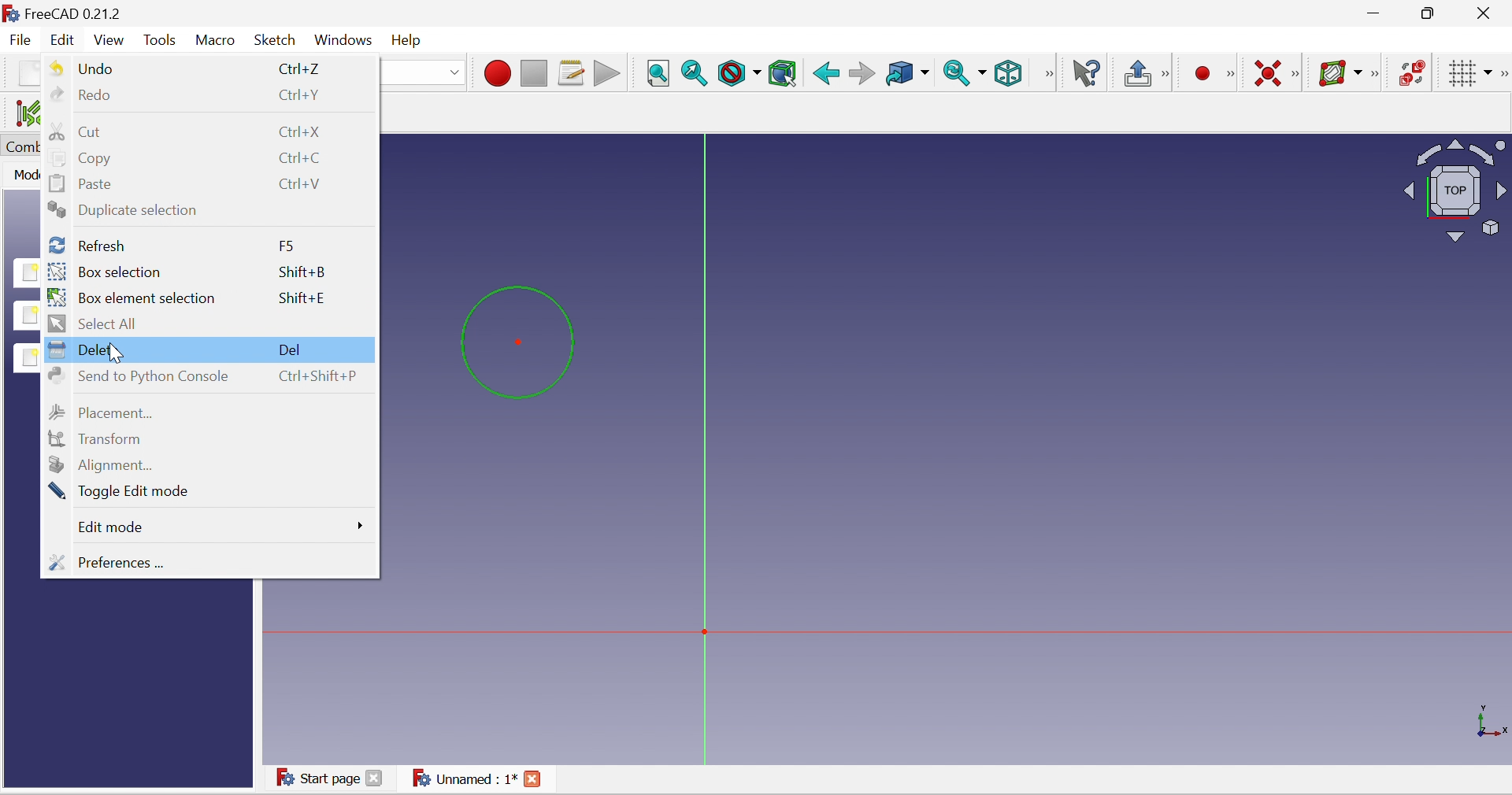 The width and height of the screenshot is (1512, 795). I want to click on Go to linked object, so click(905, 75).